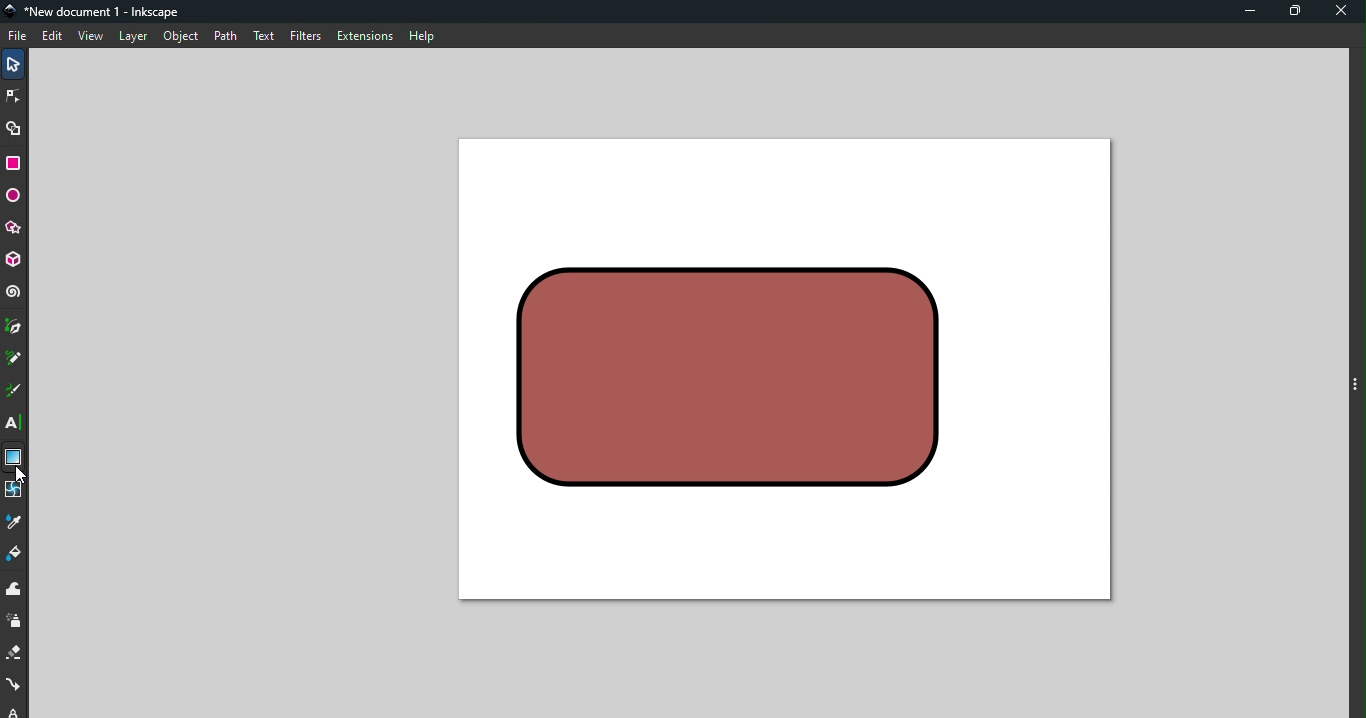 This screenshot has height=718, width=1366. Describe the element at coordinates (14, 328) in the screenshot. I see `Pen tool` at that location.